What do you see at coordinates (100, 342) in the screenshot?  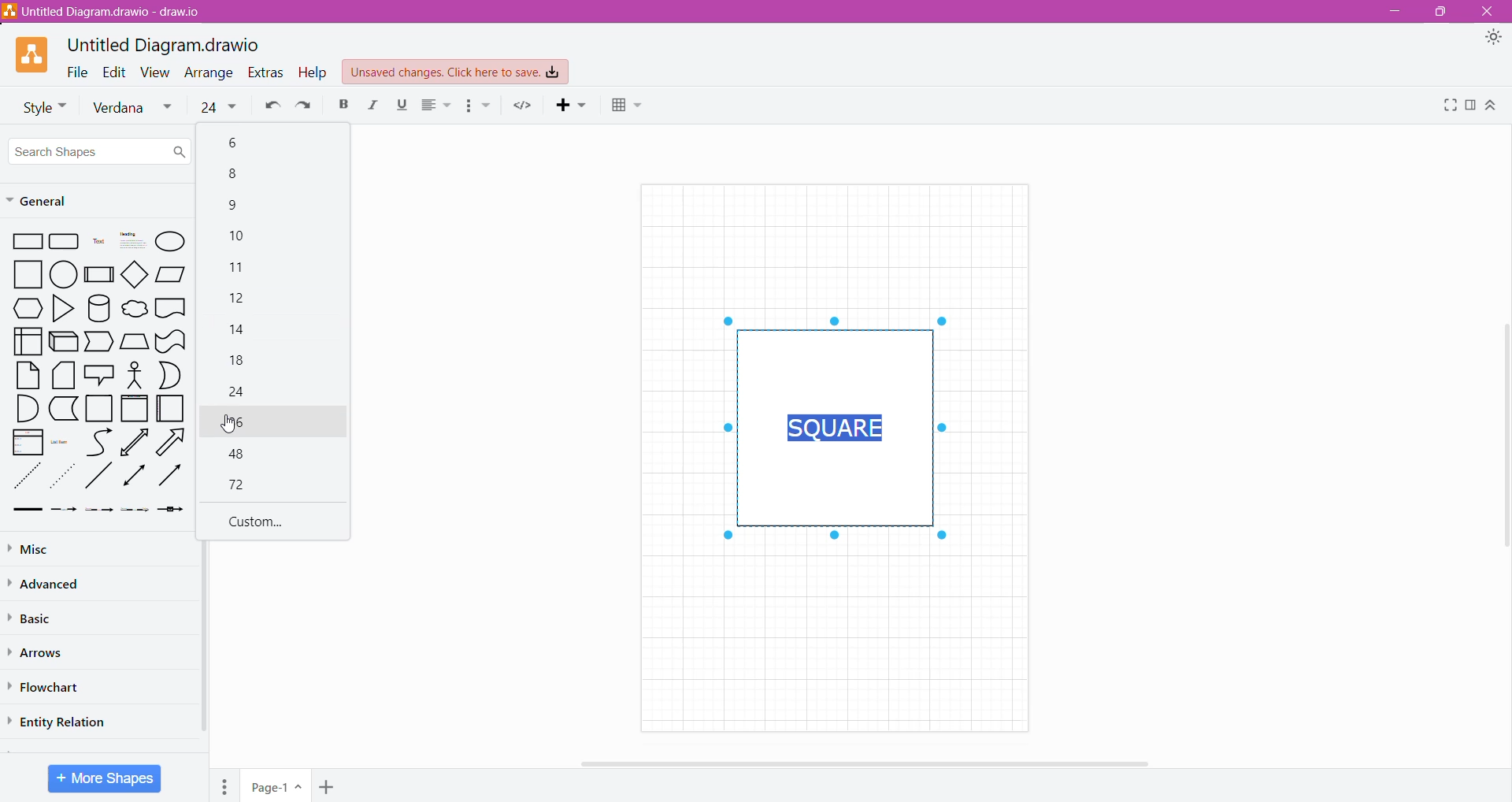 I see `Trapezoid ` at bounding box center [100, 342].